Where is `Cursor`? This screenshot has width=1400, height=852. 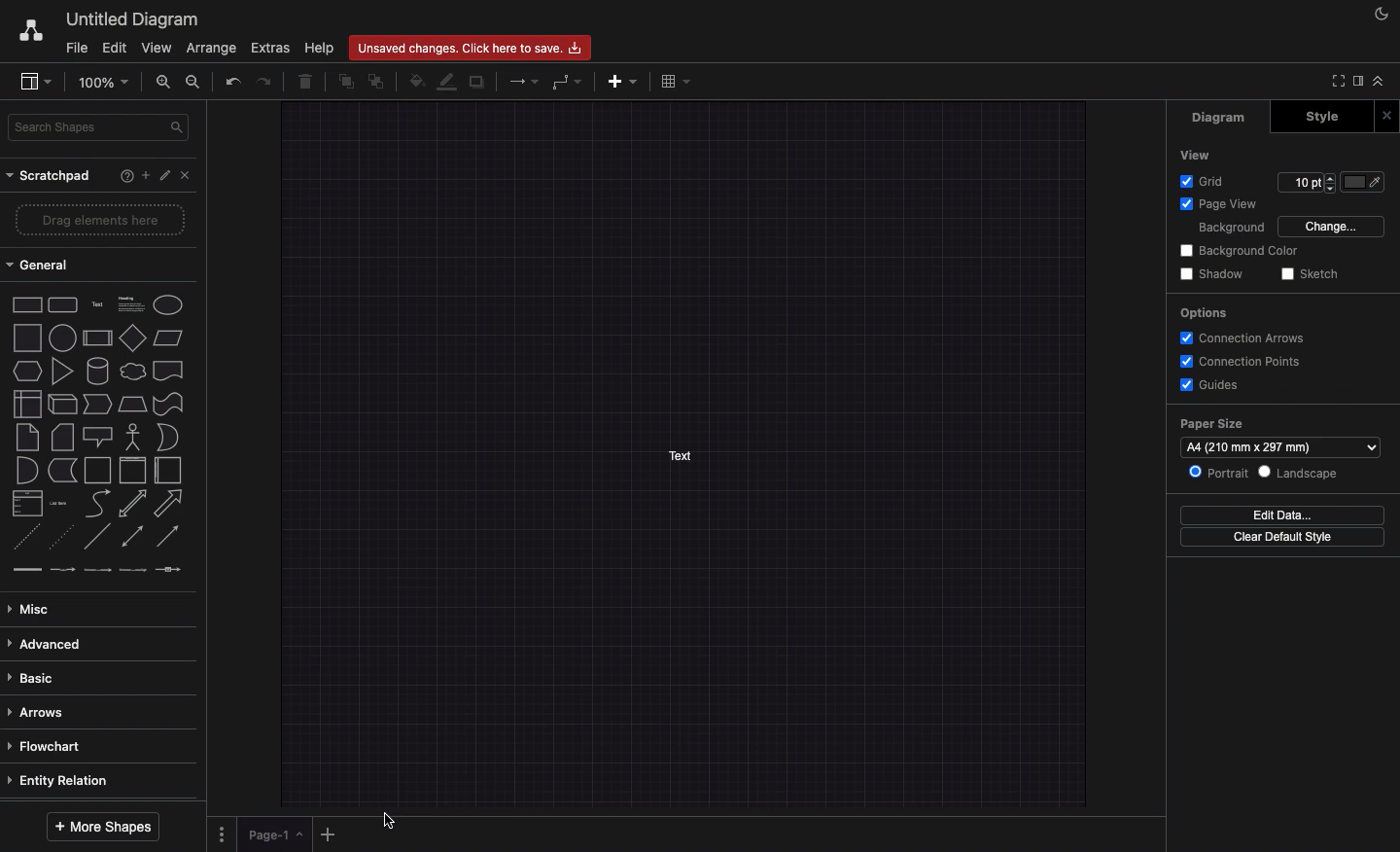 Cursor is located at coordinates (392, 821).